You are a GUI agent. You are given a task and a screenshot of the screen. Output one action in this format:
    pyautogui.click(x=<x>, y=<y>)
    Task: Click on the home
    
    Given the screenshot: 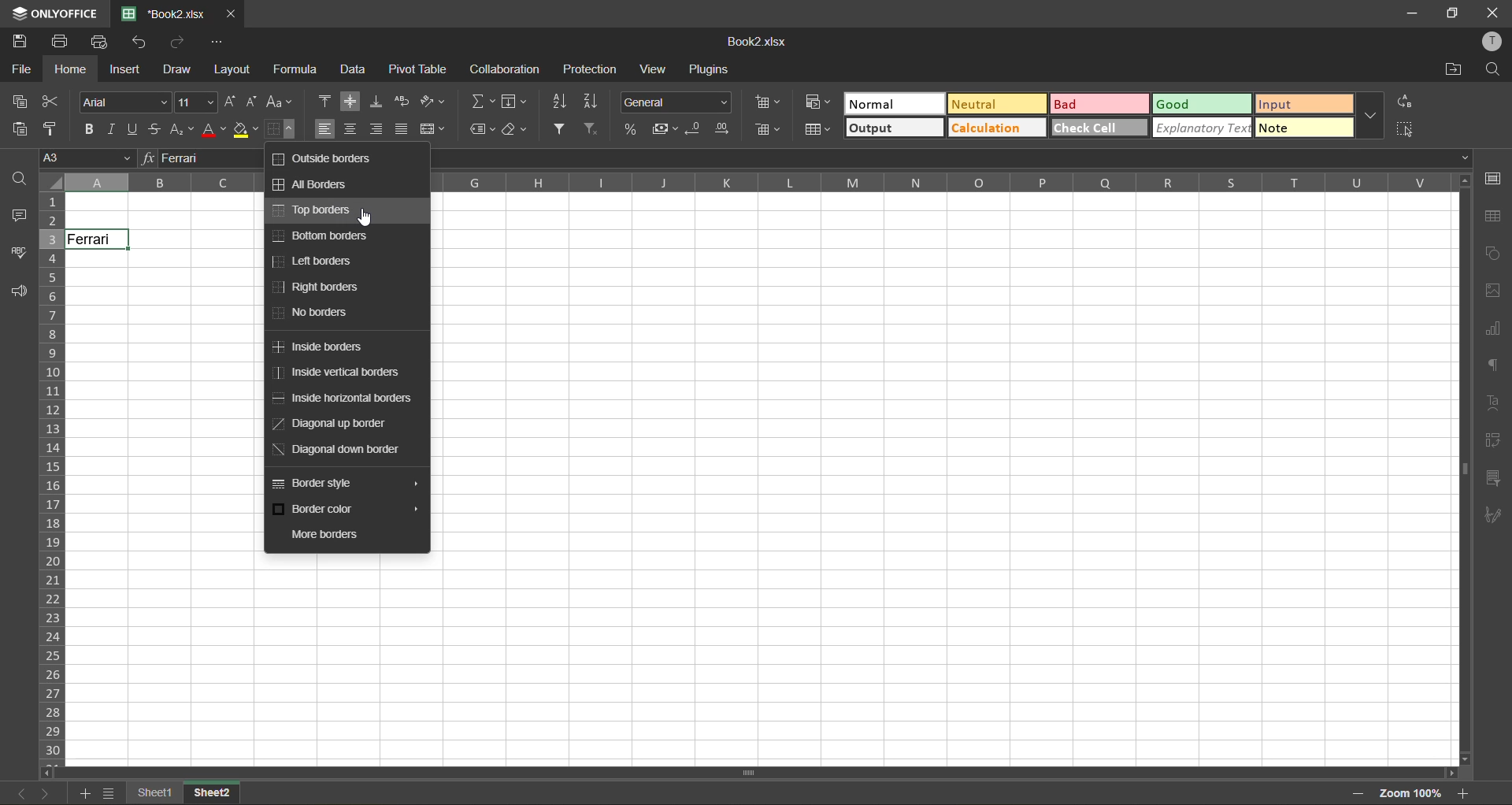 What is the action you would take?
    pyautogui.click(x=68, y=70)
    